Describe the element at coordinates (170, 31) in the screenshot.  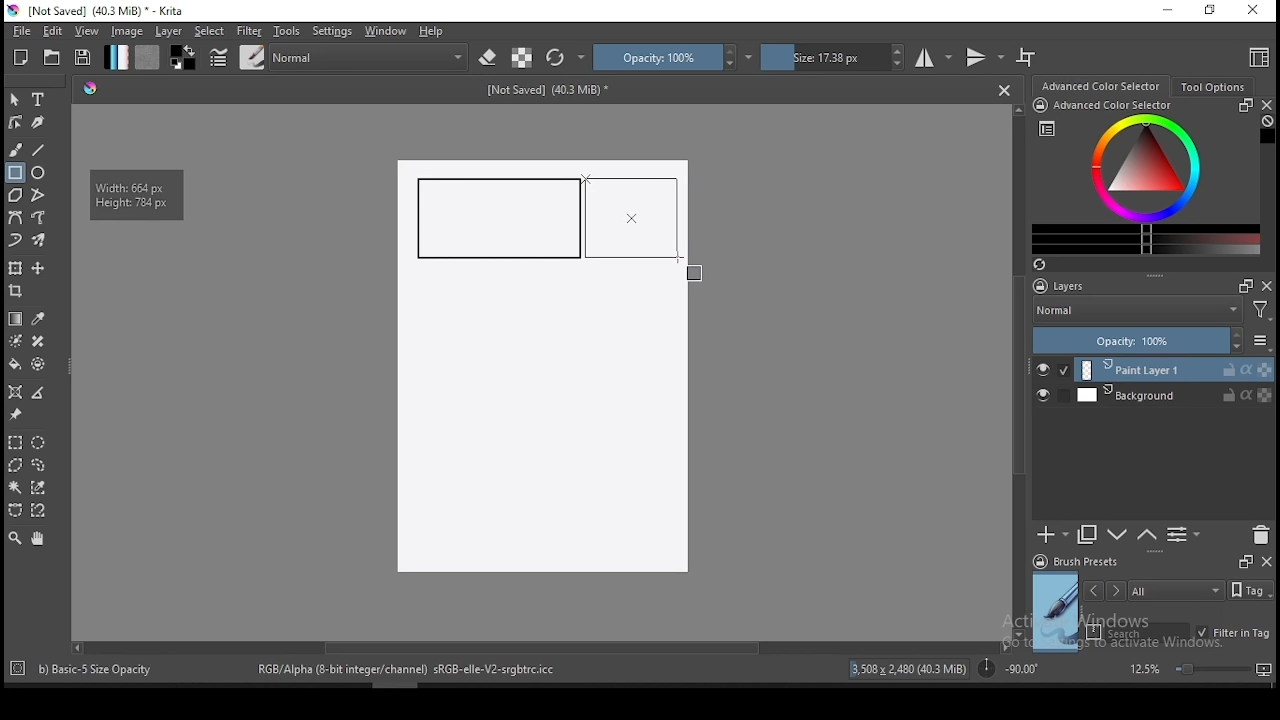
I see `layer` at that location.